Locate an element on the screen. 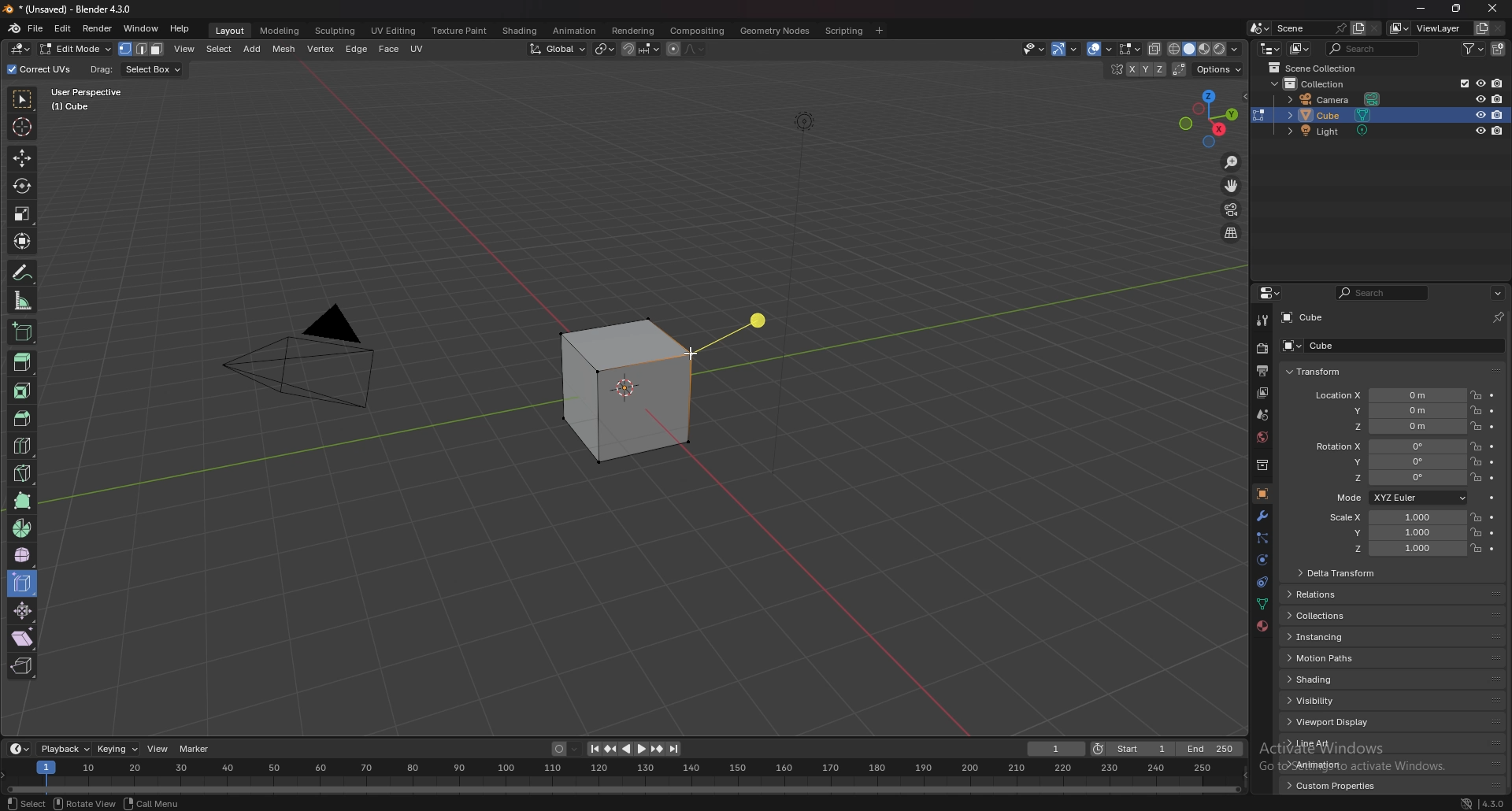 Image resolution: width=1512 pixels, height=811 pixels. animate property is located at coordinates (1491, 497).